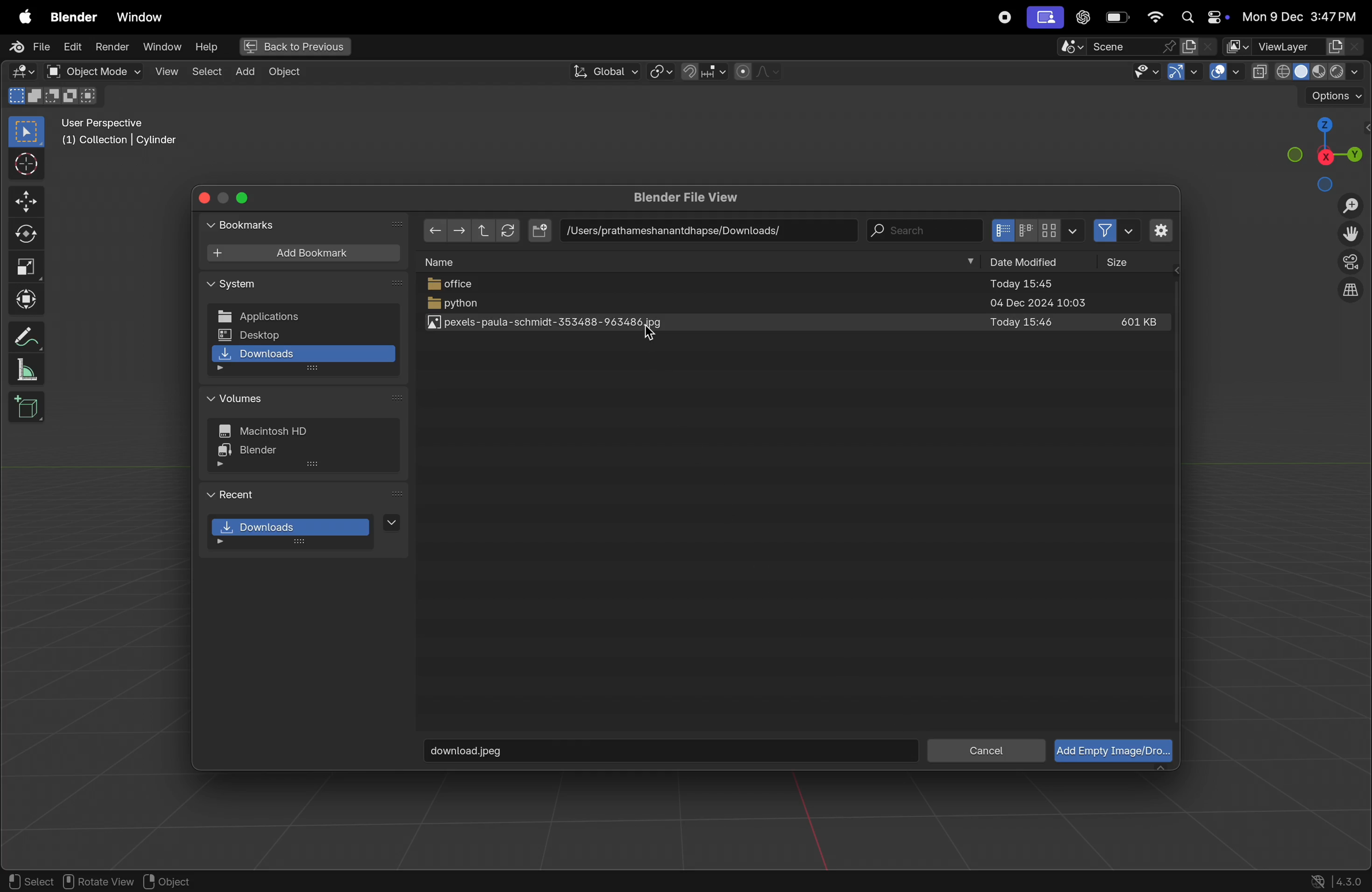 Image resolution: width=1372 pixels, height=892 pixels. I want to click on move the view, so click(1353, 235).